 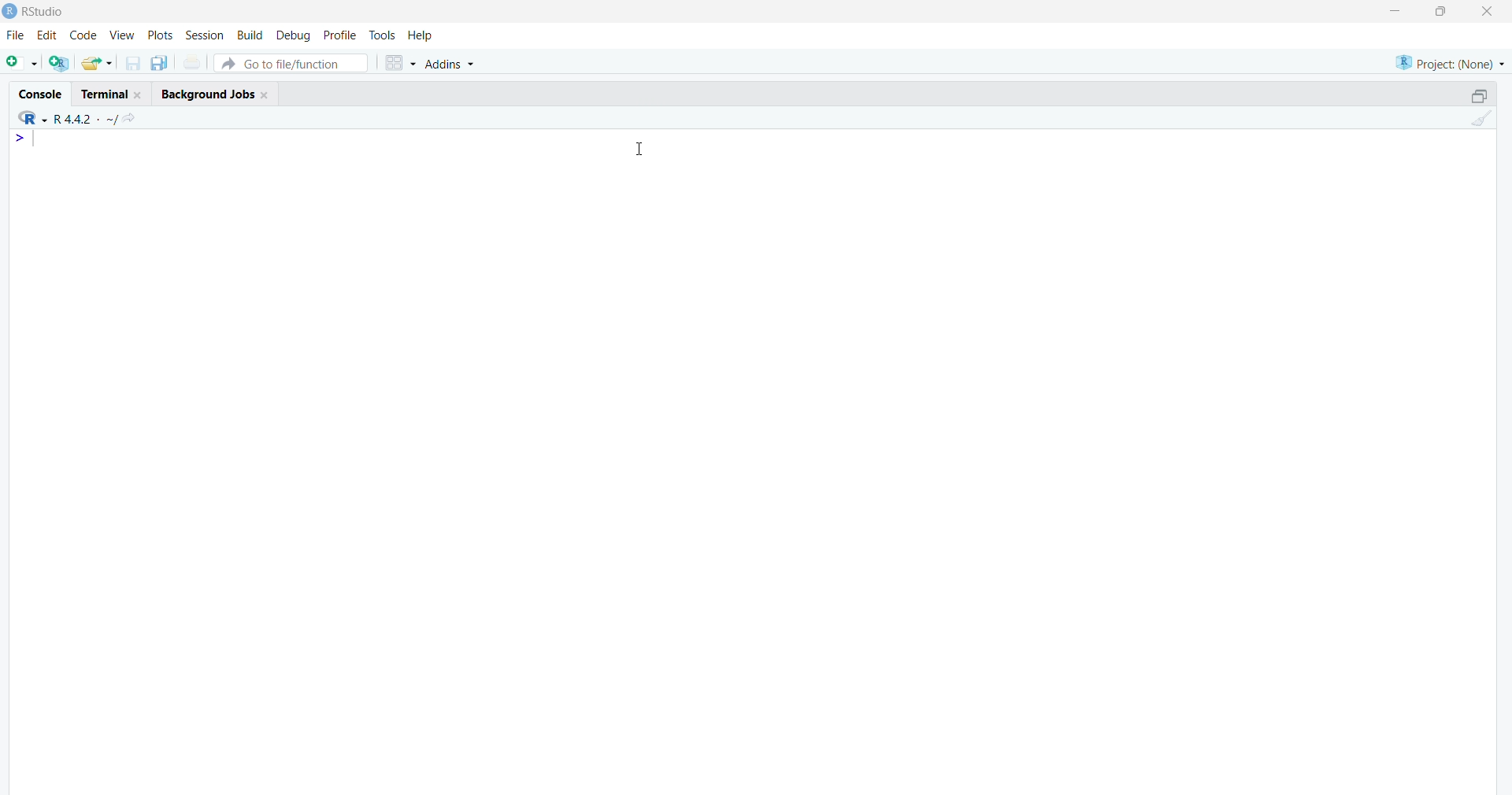 I want to click on edit, so click(x=47, y=35).